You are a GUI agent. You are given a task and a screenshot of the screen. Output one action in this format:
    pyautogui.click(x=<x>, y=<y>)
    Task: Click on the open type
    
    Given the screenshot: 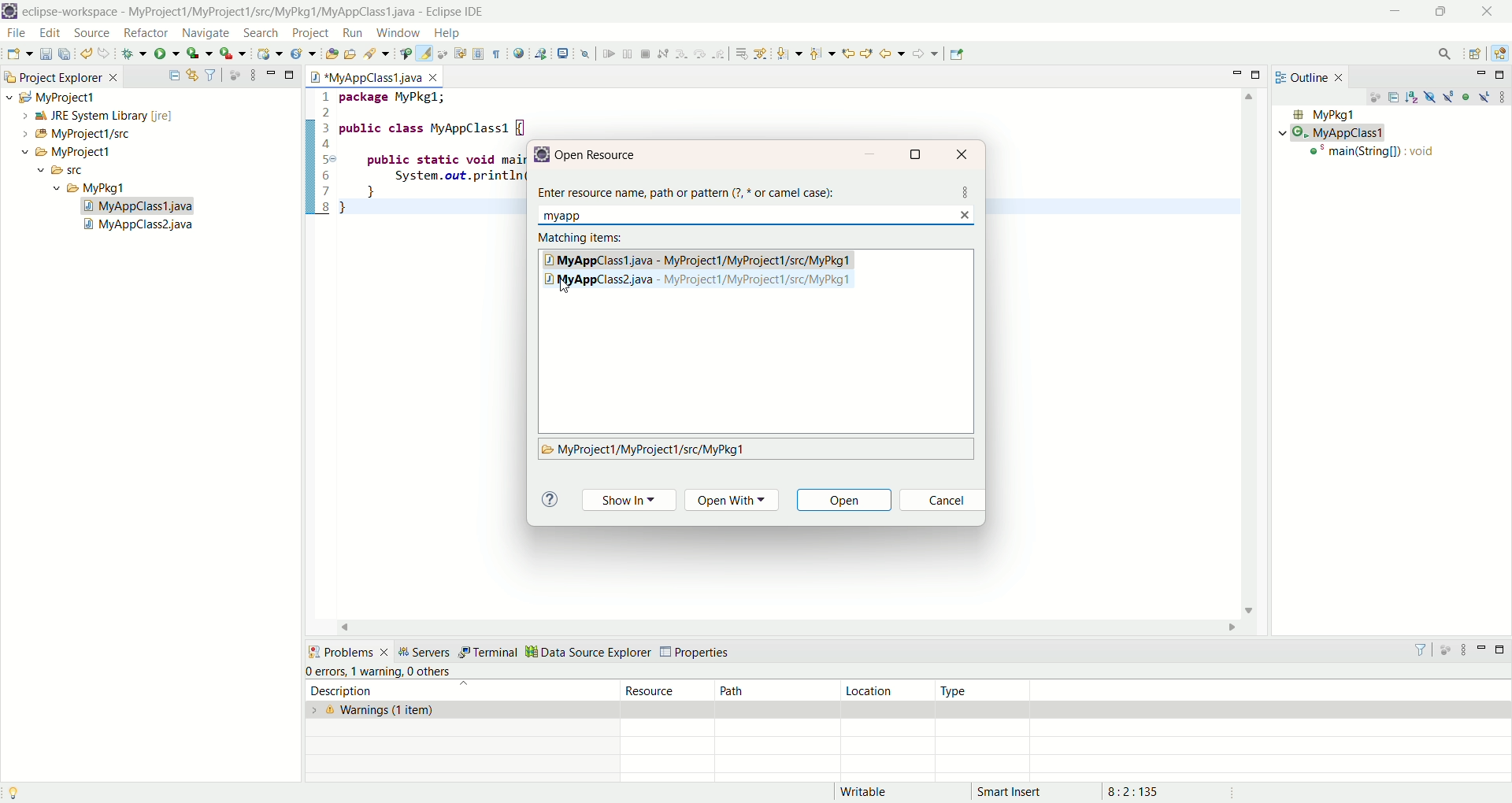 What is the action you would take?
    pyautogui.click(x=329, y=55)
    